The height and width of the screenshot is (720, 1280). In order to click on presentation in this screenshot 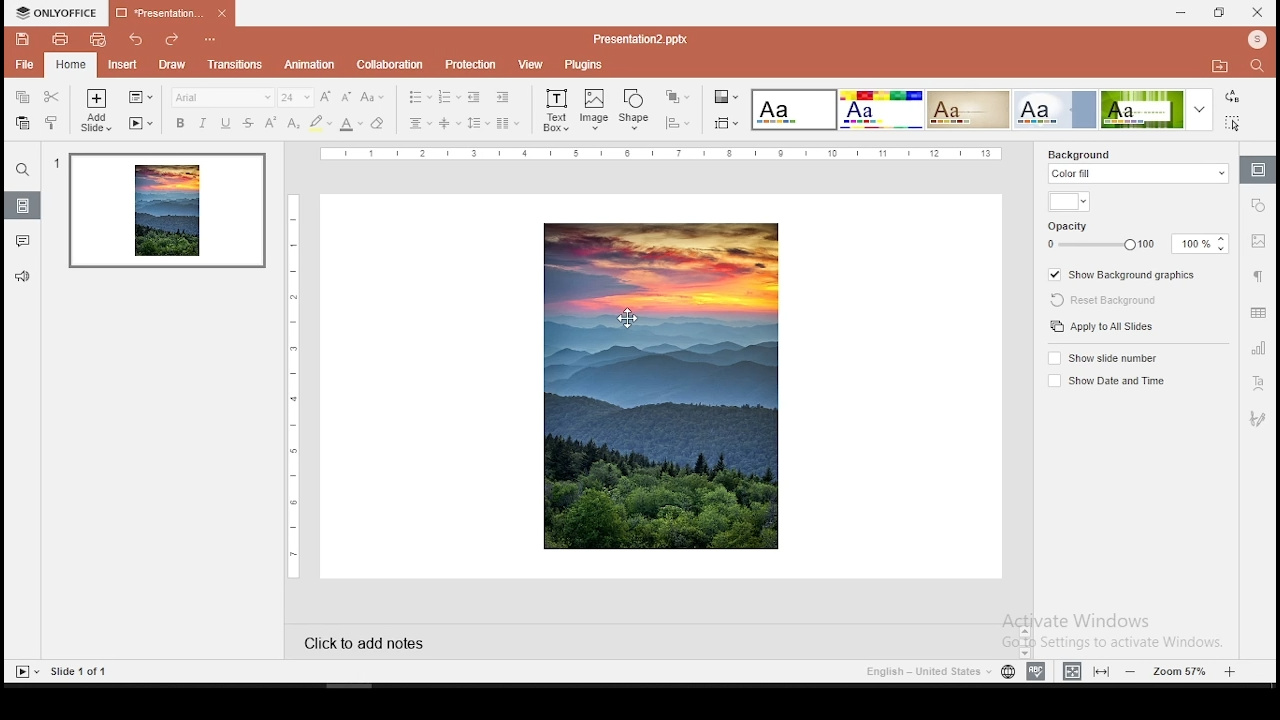, I will do `click(172, 12)`.